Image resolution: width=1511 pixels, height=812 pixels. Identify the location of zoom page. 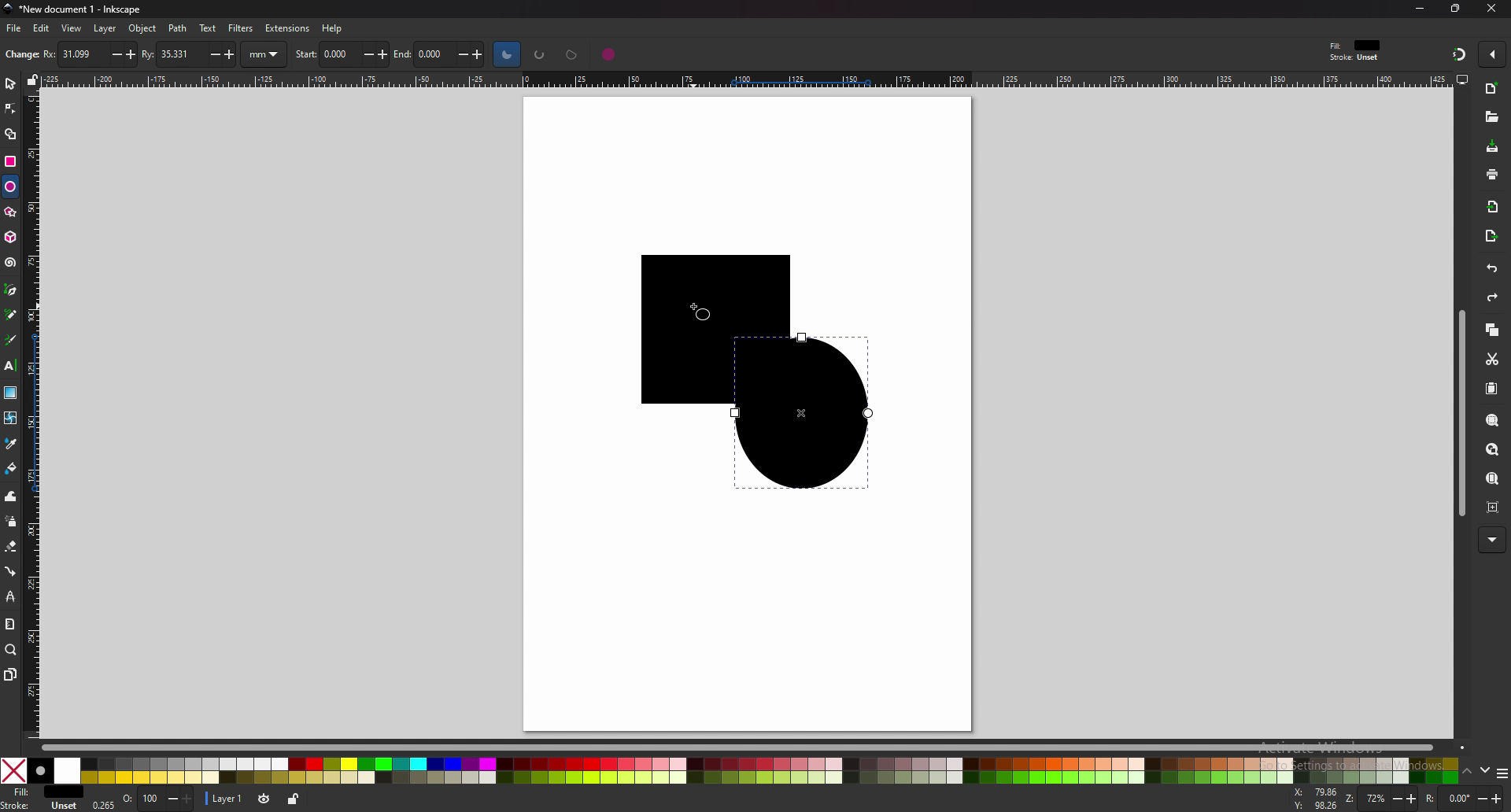
(1492, 478).